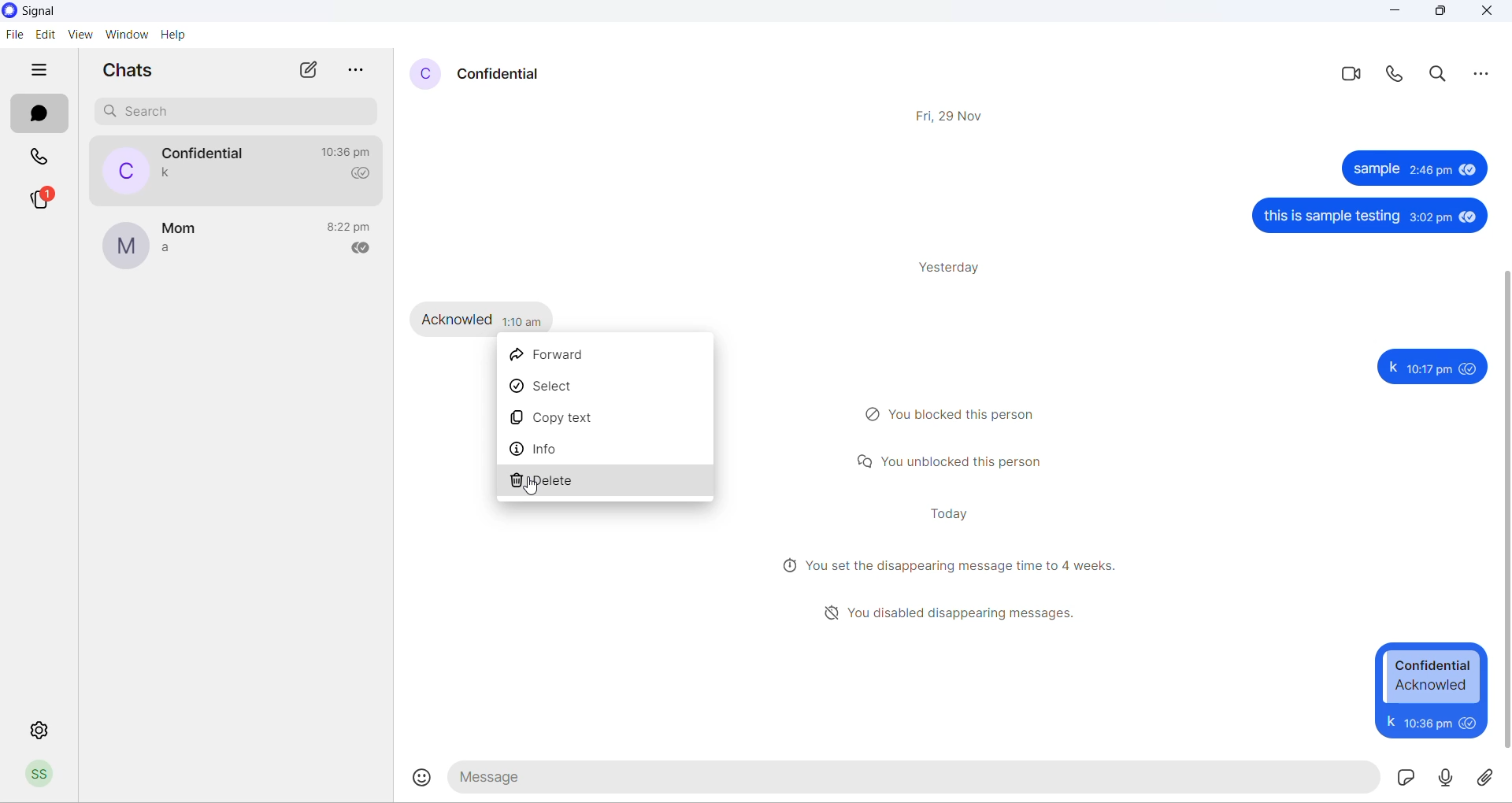 The height and width of the screenshot is (803, 1512). I want to click on hide tabs, so click(46, 71).